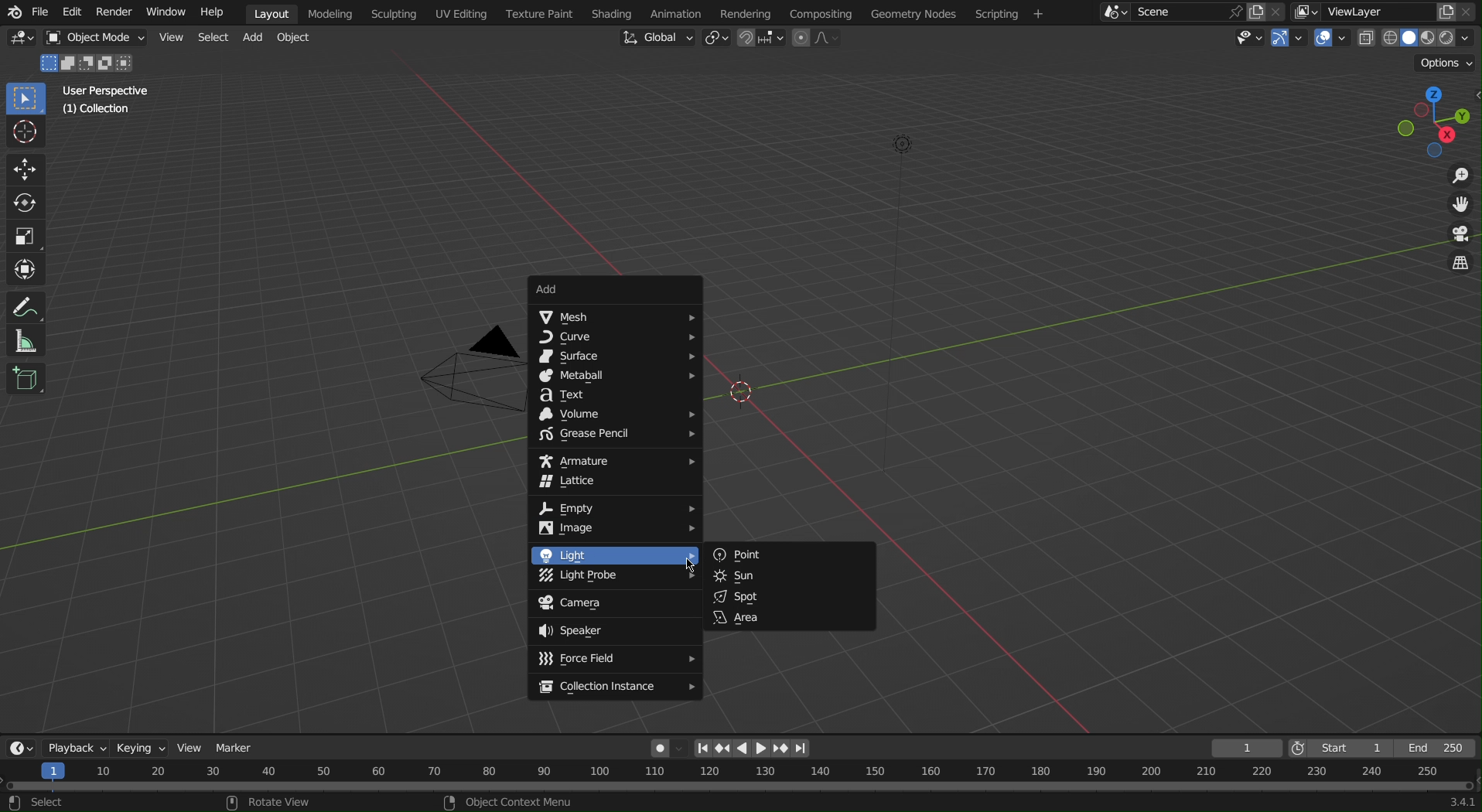  What do you see at coordinates (790, 576) in the screenshot?
I see `Sun` at bounding box center [790, 576].